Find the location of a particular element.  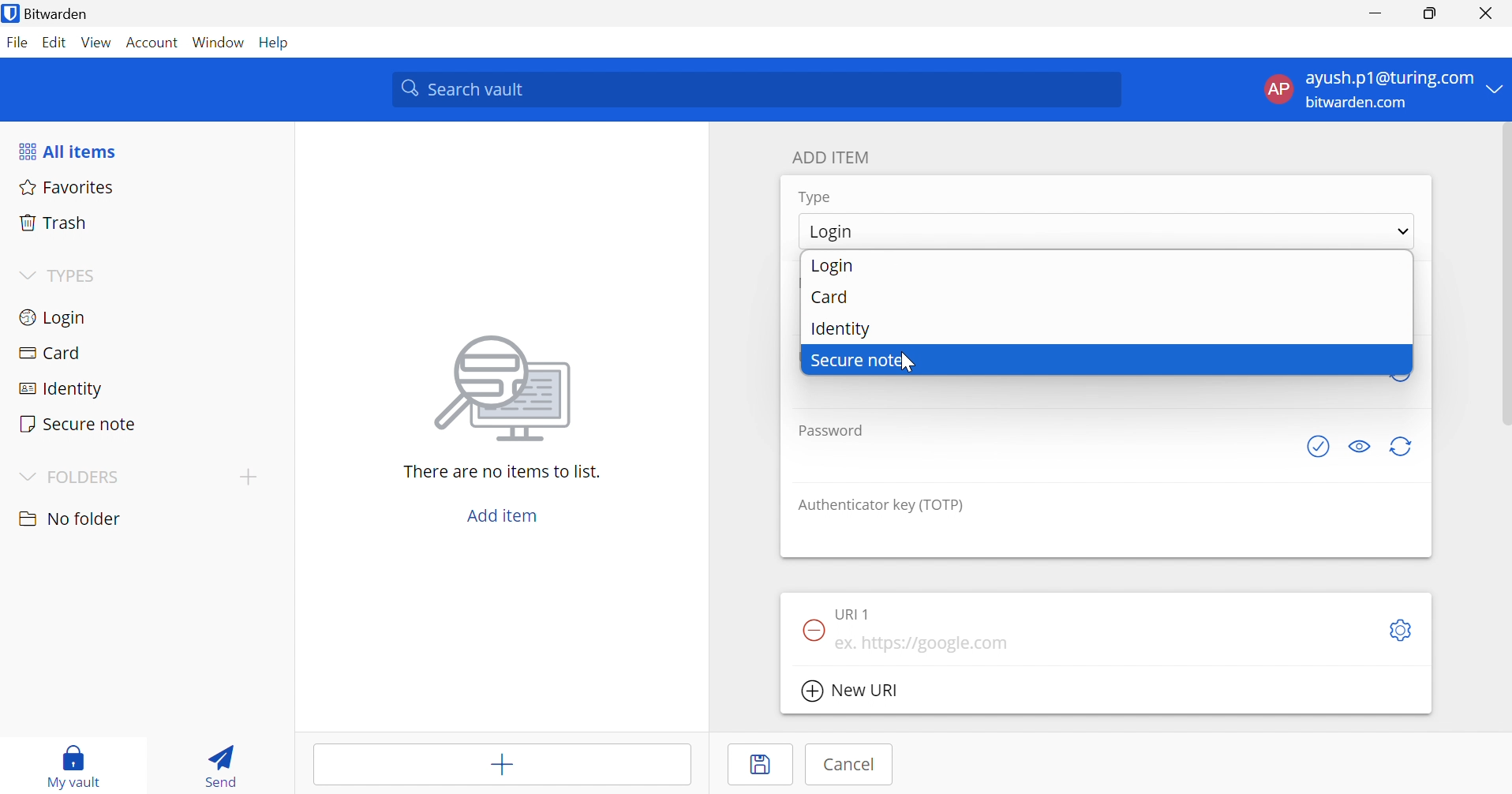

Trash is located at coordinates (54, 223).